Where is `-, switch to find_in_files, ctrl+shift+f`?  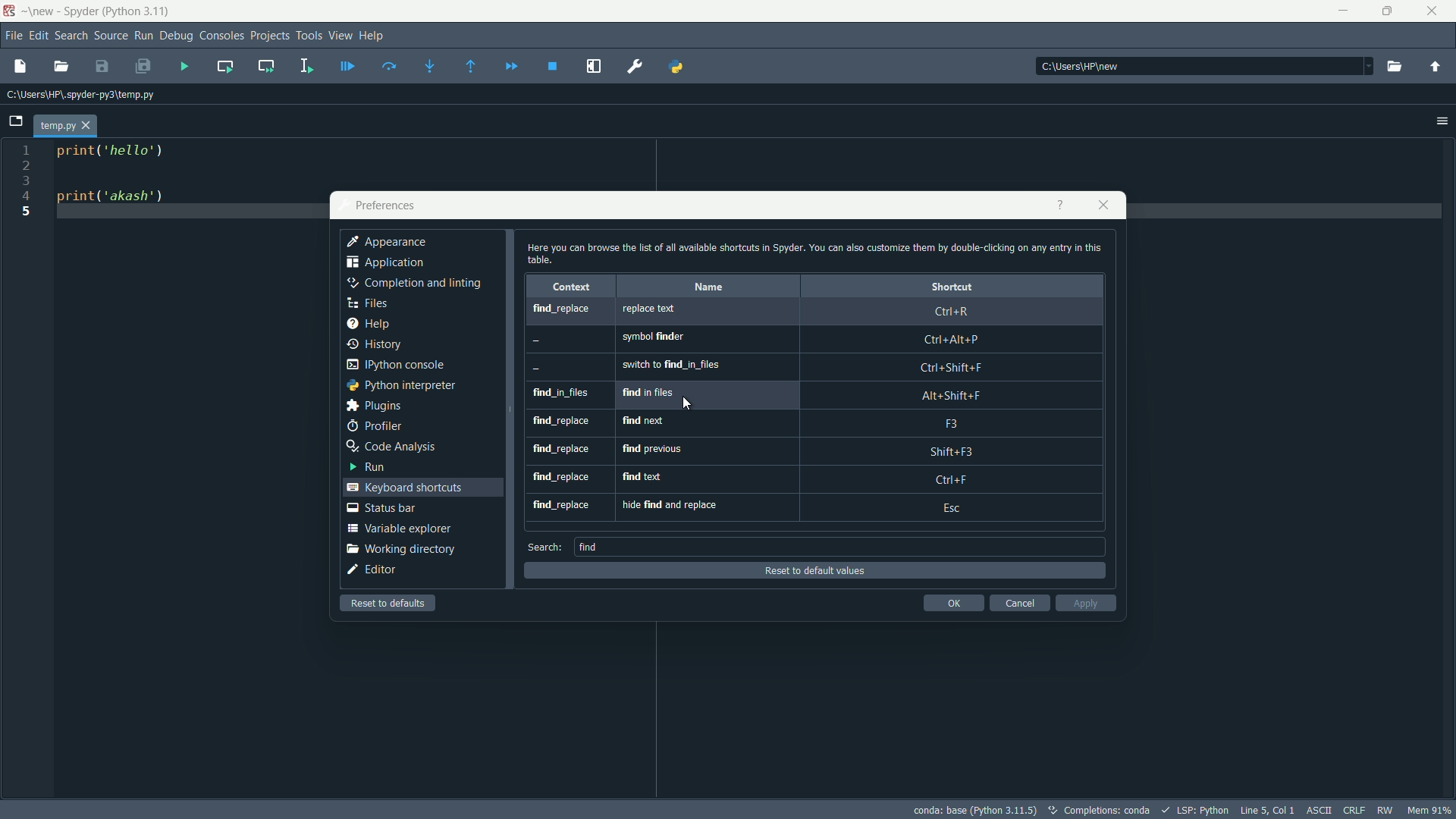 -, switch to find_in_files, ctrl+shift+f is located at coordinates (812, 367).